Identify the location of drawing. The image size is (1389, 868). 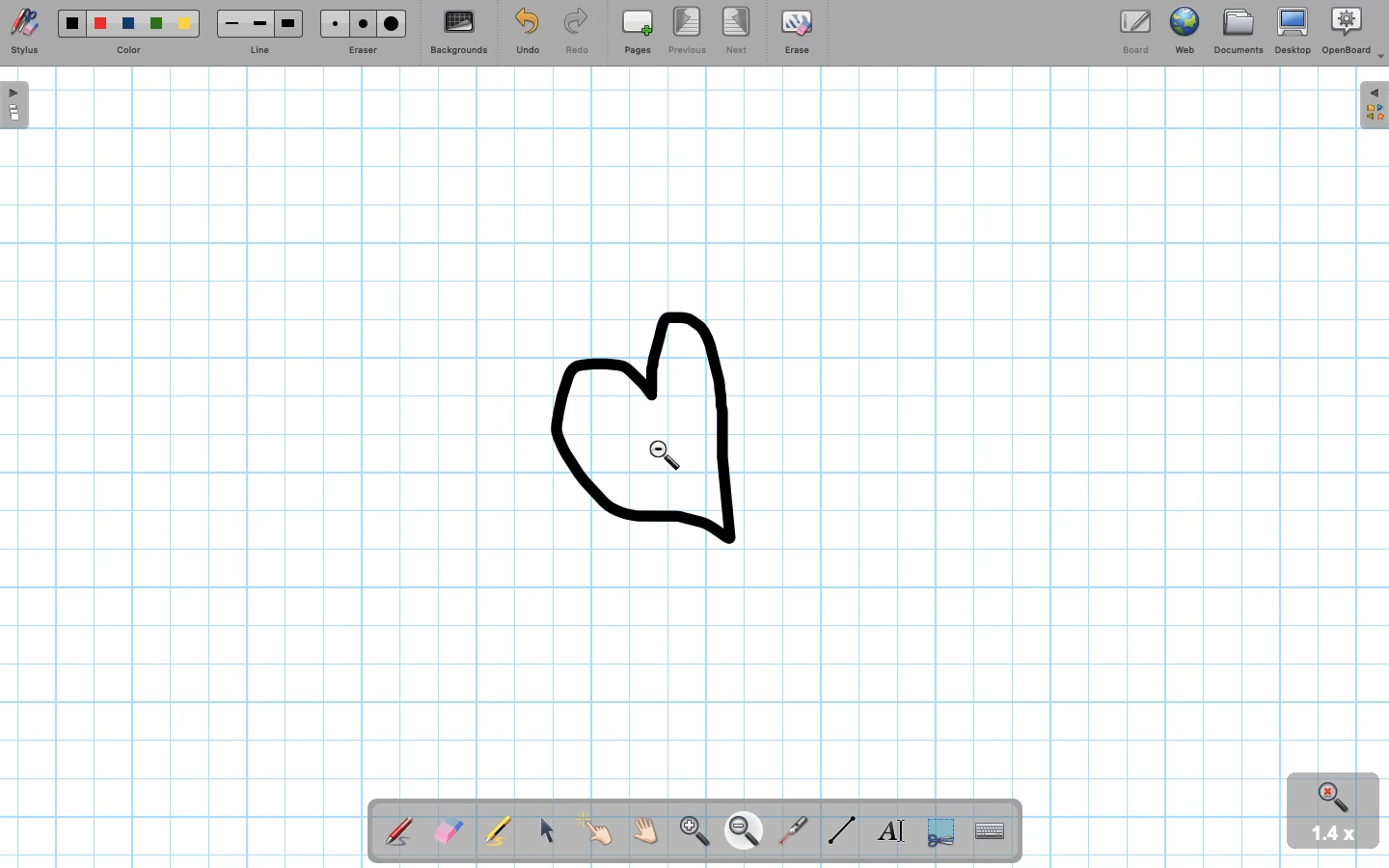
(661, 424).